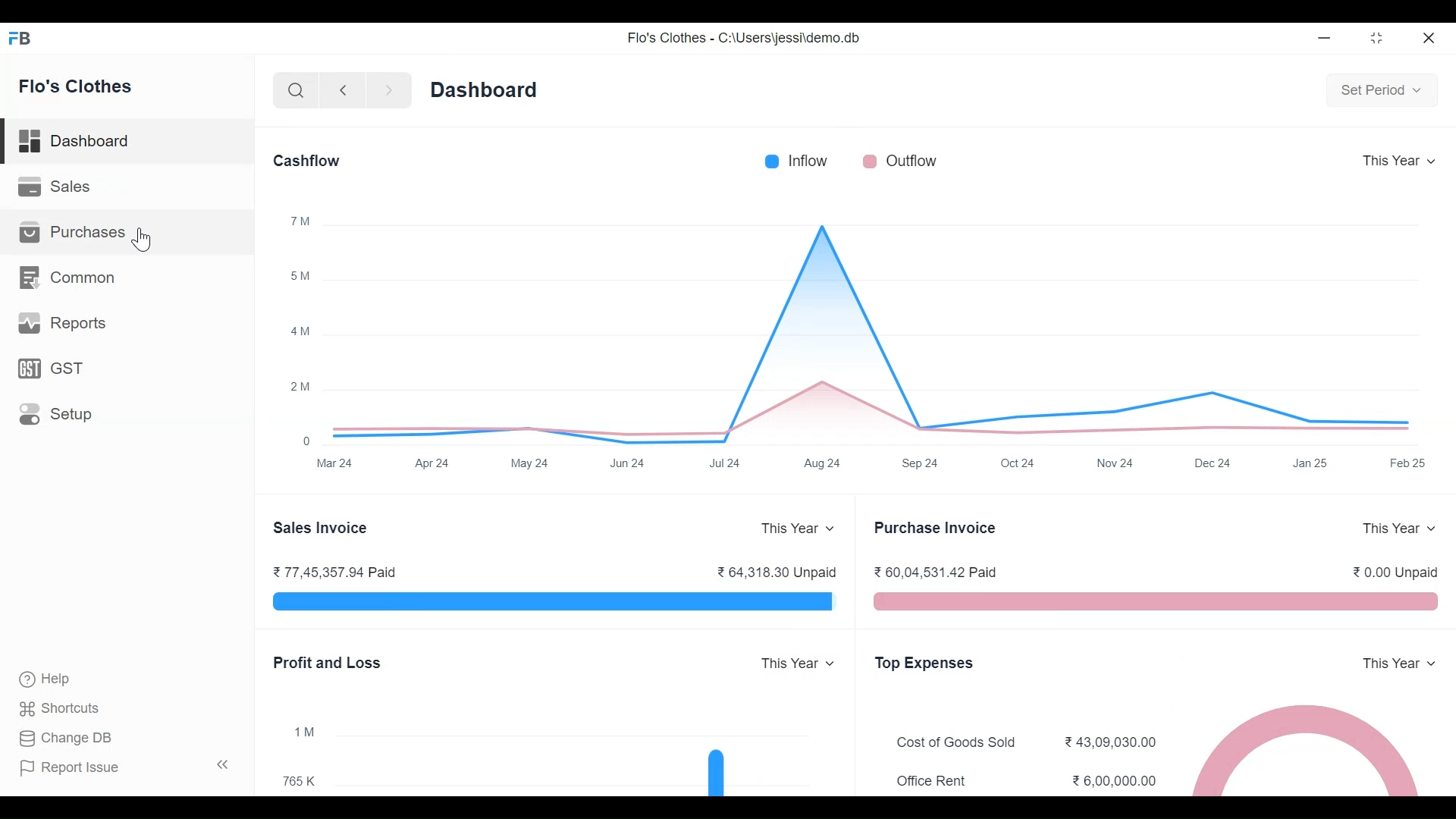 The height and width of the screenshot is (819, 1456). What do you see at coordinates (50, 679) in the screenshot?
I see `Help` at bounding box center [50, 679].